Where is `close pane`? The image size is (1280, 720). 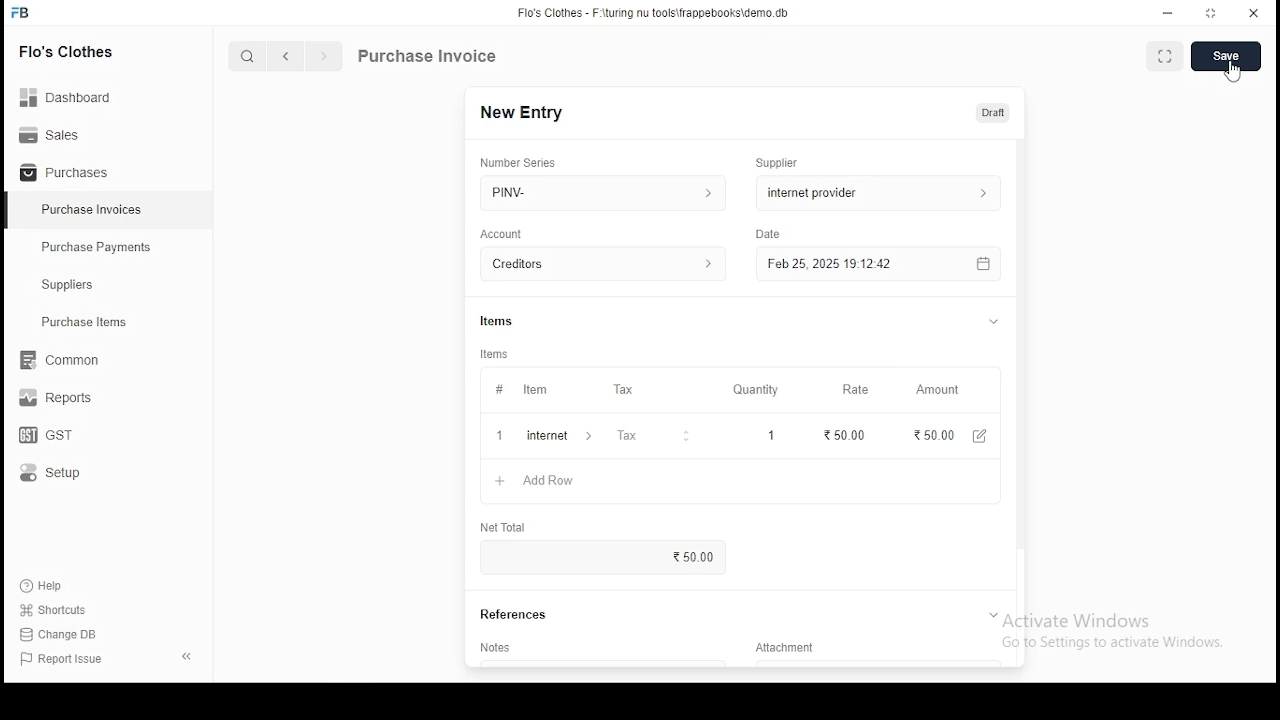
close pane is located at coordinates (185, 655).